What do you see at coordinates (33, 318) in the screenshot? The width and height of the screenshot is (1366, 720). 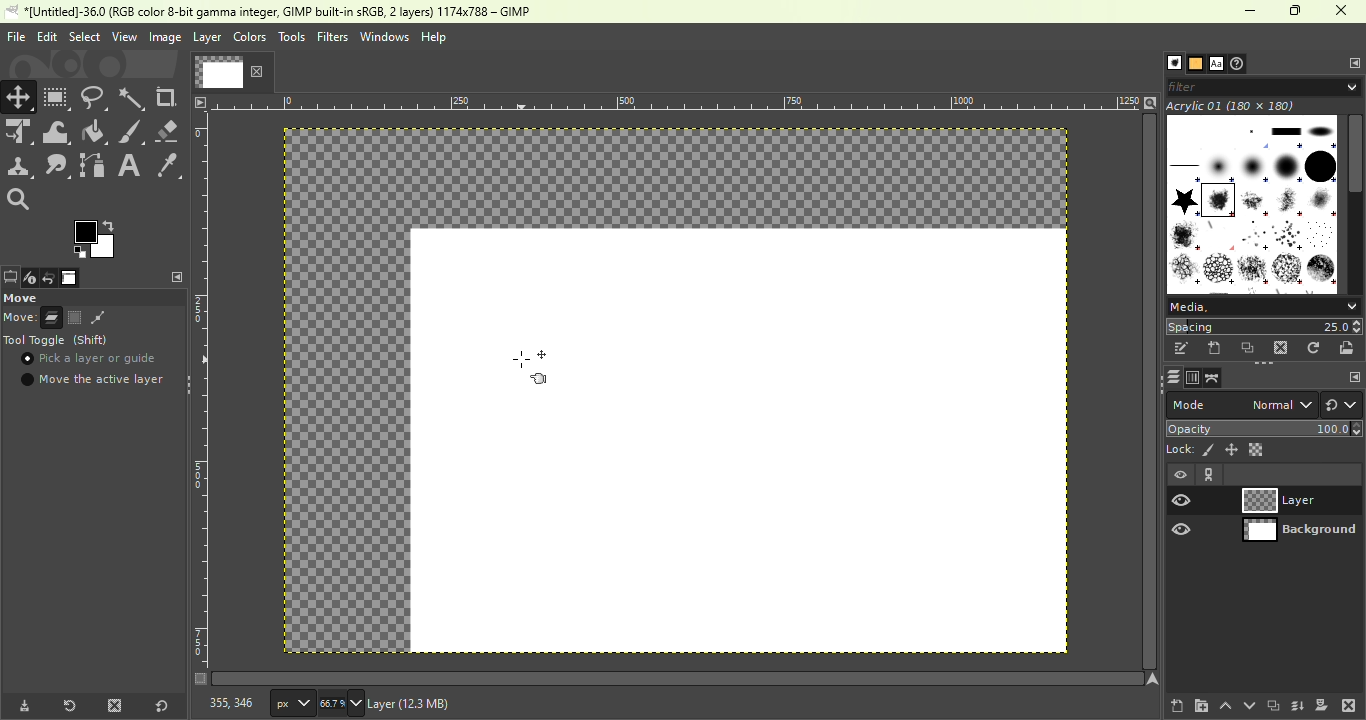 I see `Mode` at bounding box center [33, 318].